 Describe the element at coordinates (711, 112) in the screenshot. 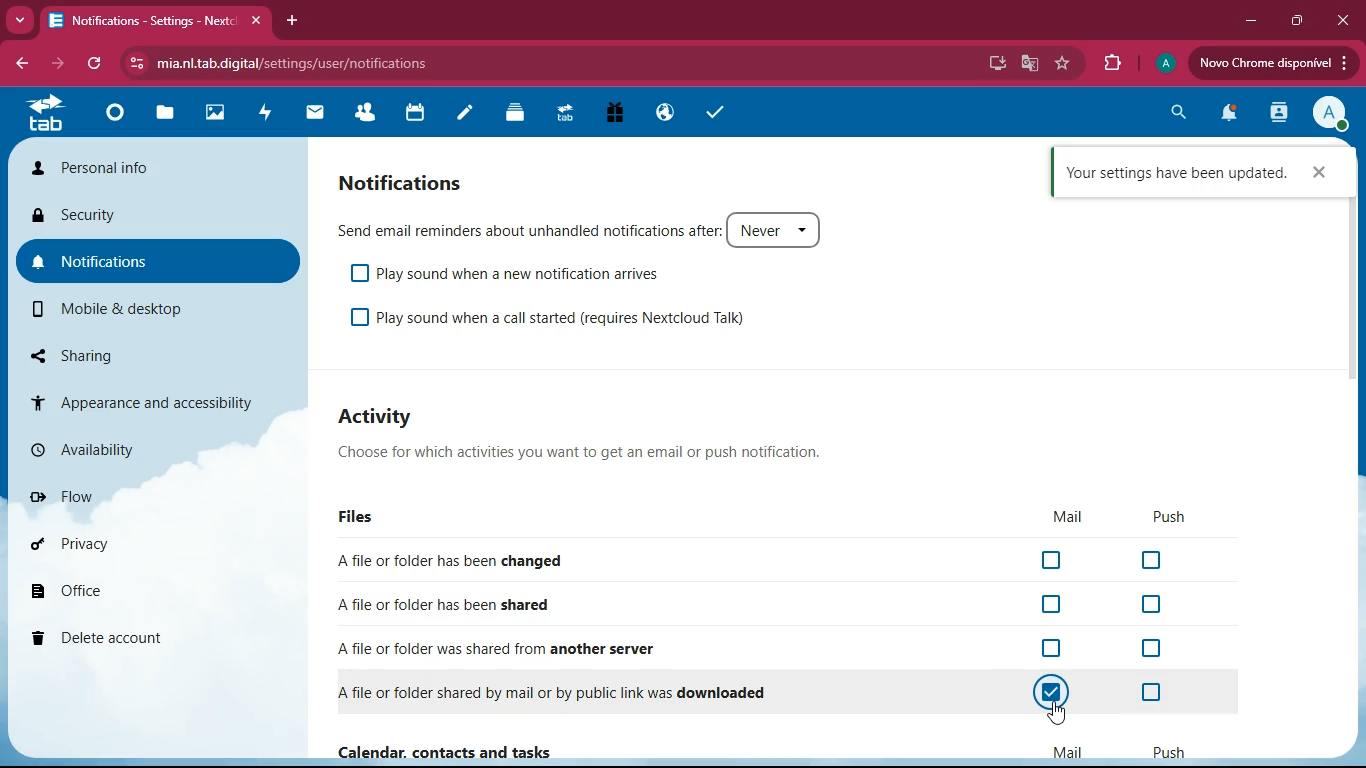

I see `tasks` at that location.